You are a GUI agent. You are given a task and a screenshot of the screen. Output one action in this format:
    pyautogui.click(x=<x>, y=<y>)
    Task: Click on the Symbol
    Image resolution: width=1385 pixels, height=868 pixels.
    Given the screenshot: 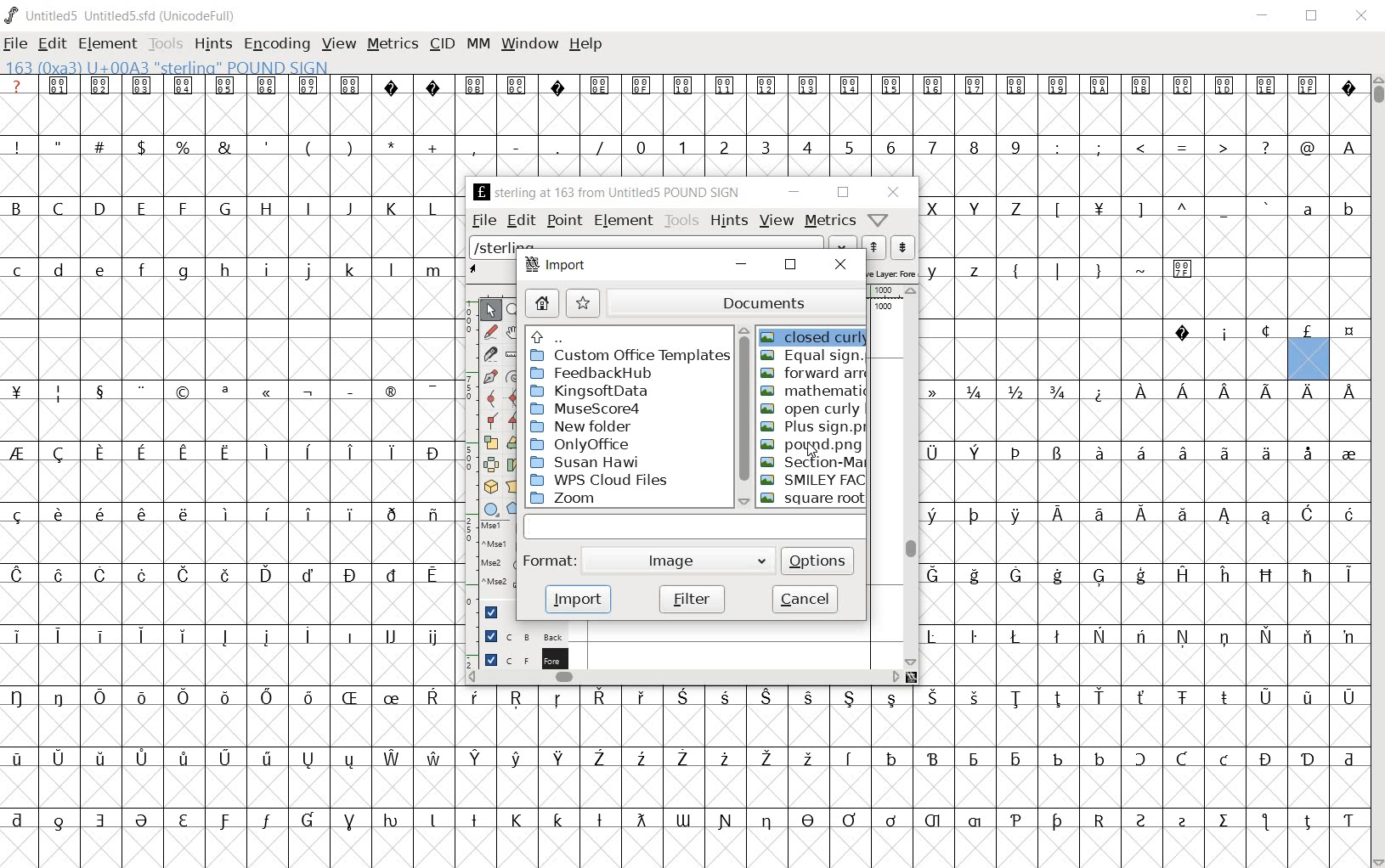 What is the action you would take?
    pyautogui.click(x=391, y=393)
    